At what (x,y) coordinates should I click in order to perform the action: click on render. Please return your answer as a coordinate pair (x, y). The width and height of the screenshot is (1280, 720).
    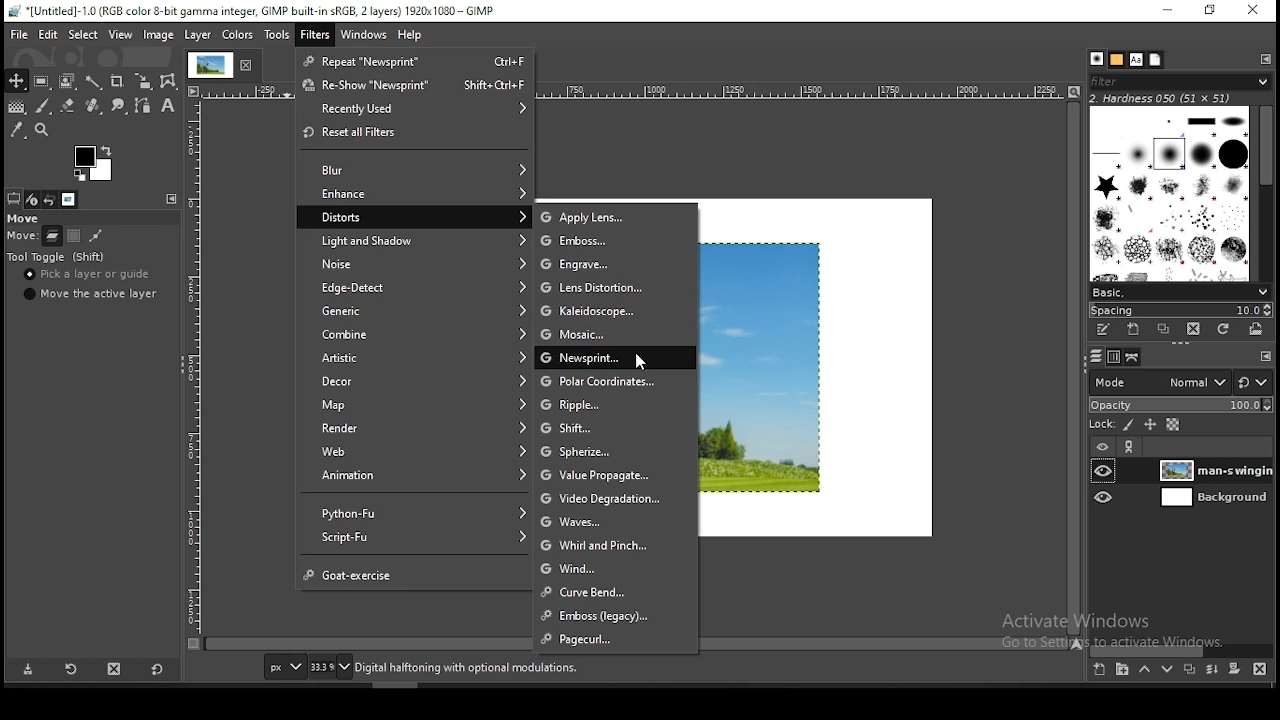
    Looking at the image, I should click on (413, 429).